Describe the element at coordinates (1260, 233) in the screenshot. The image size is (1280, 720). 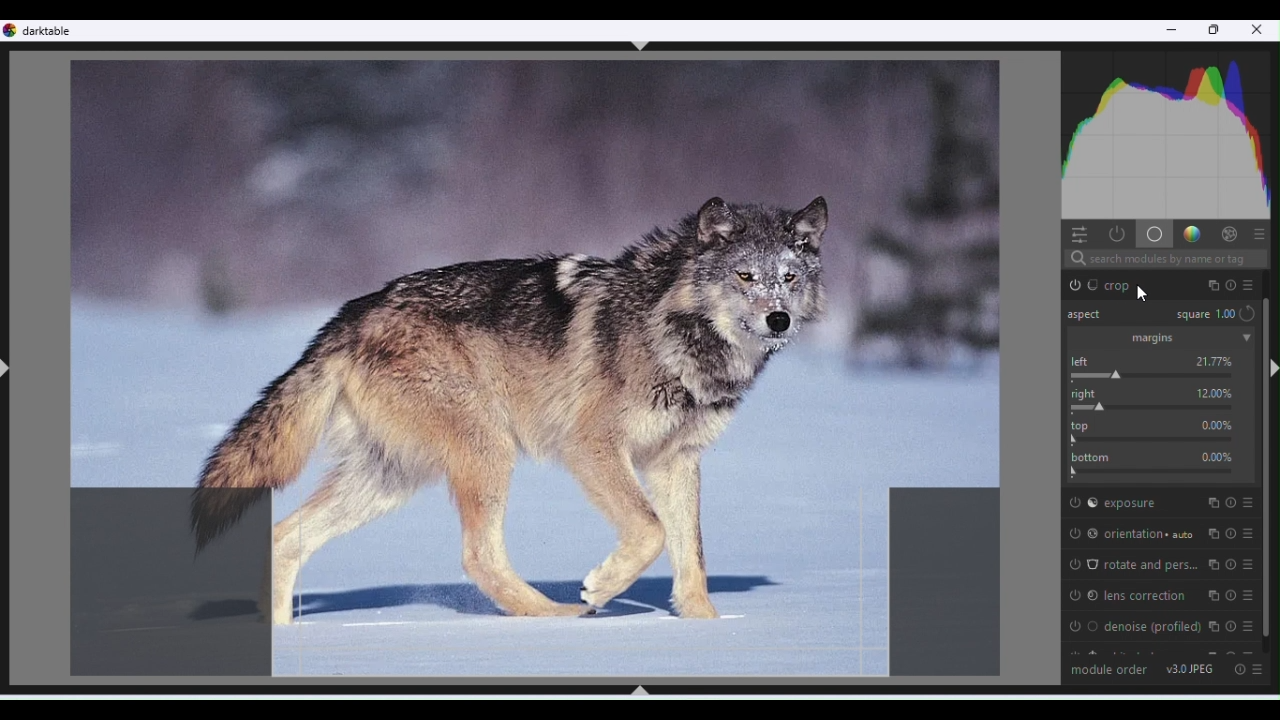
I see `Preset ` at that location.